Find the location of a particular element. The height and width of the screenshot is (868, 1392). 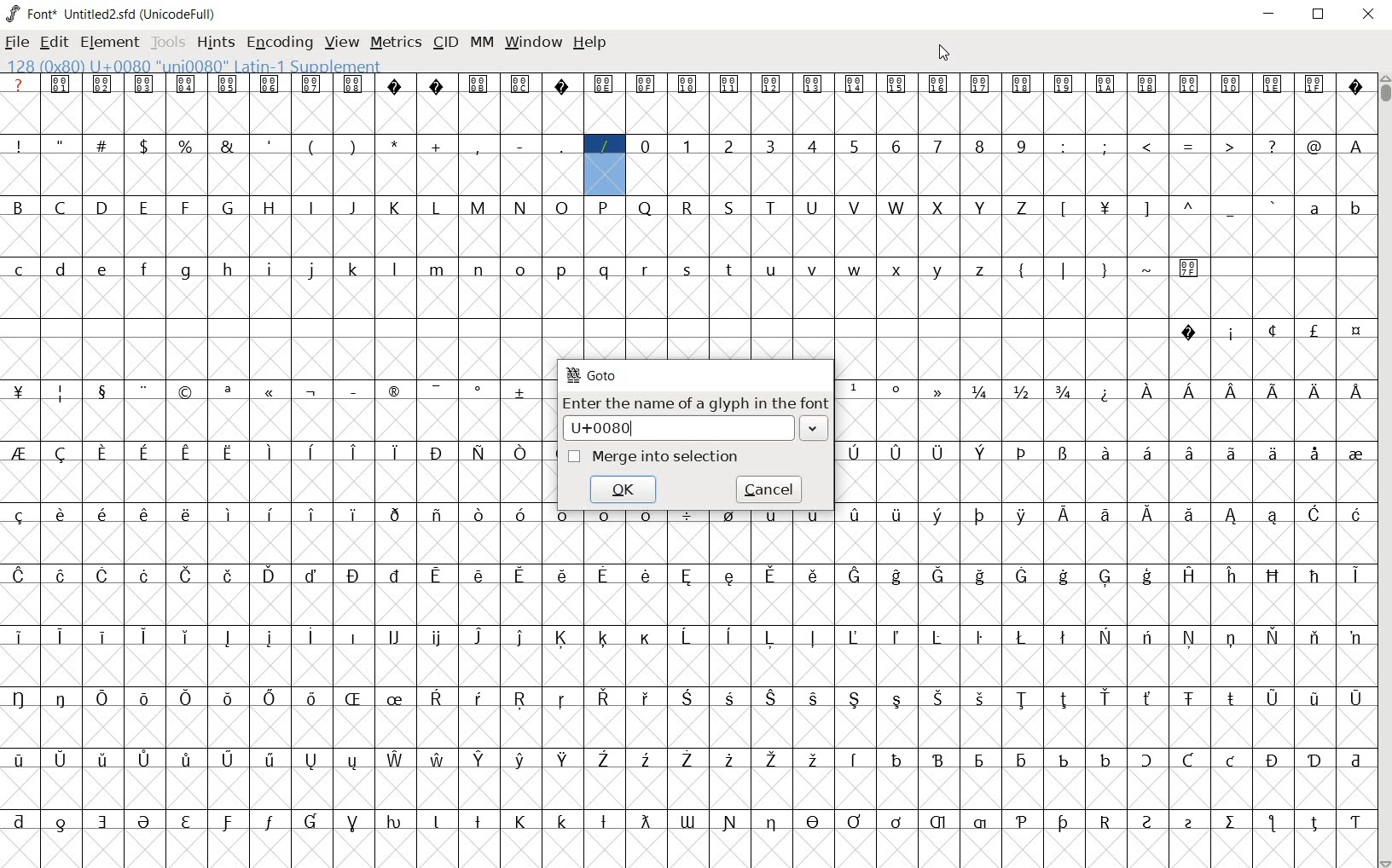

glyph is located at coordinates (143, 207).